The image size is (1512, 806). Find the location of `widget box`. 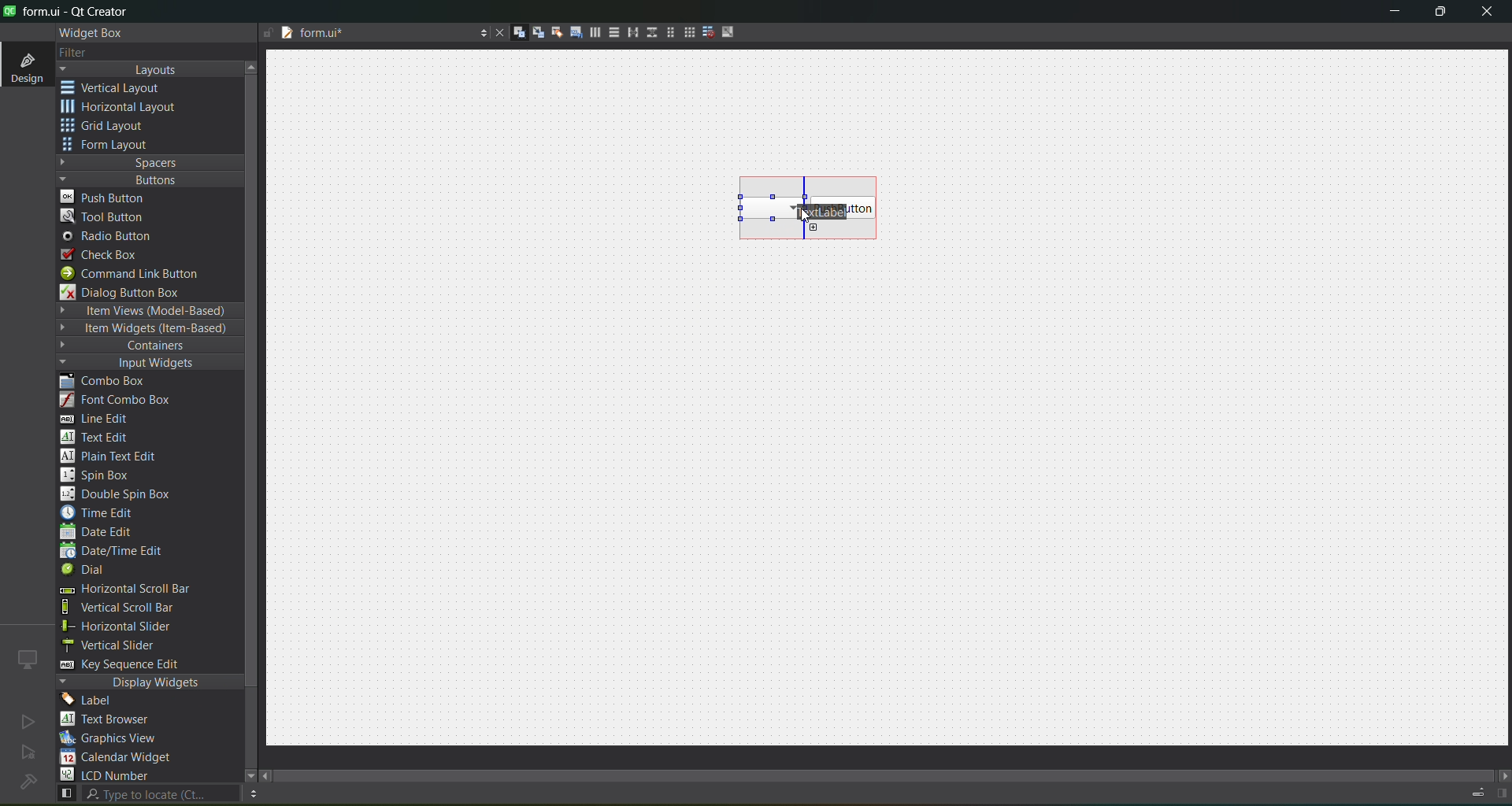

widget box is located at coordinates (94, 33).